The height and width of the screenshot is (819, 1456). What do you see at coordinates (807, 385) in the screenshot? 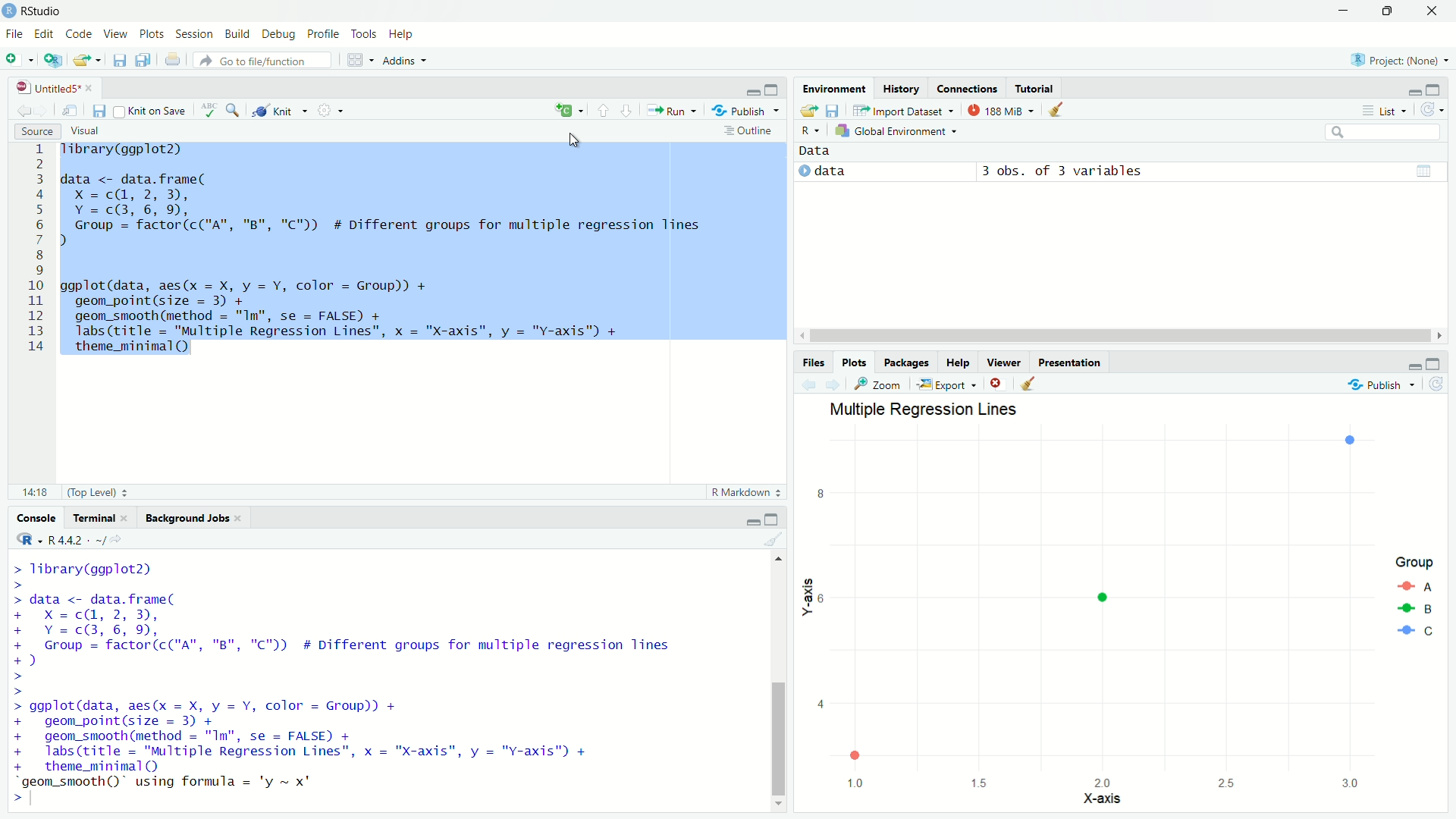
I see `back` at bounding box center [807, 385].